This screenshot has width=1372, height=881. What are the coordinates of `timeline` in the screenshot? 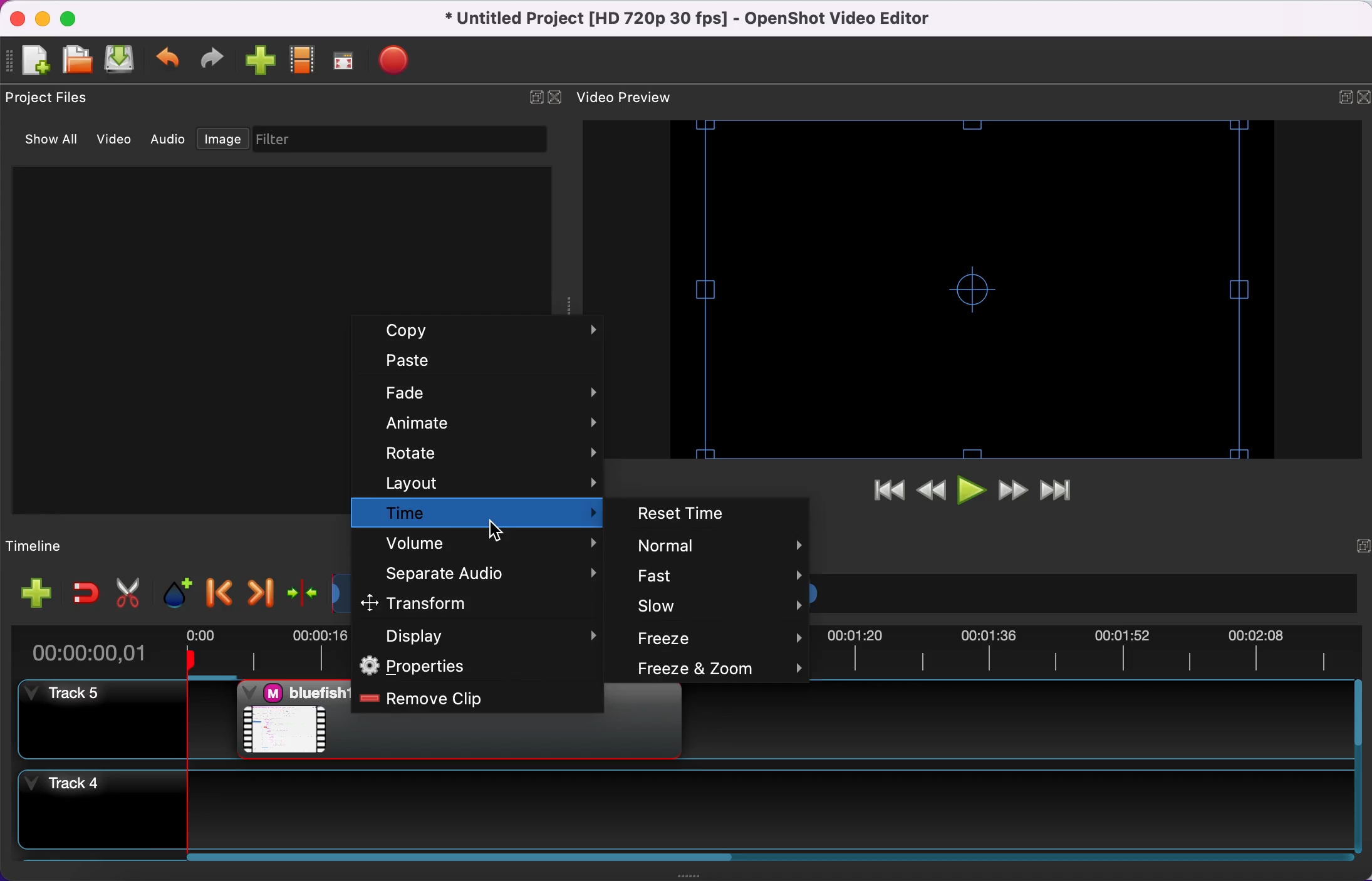 It's located at (48, 544).